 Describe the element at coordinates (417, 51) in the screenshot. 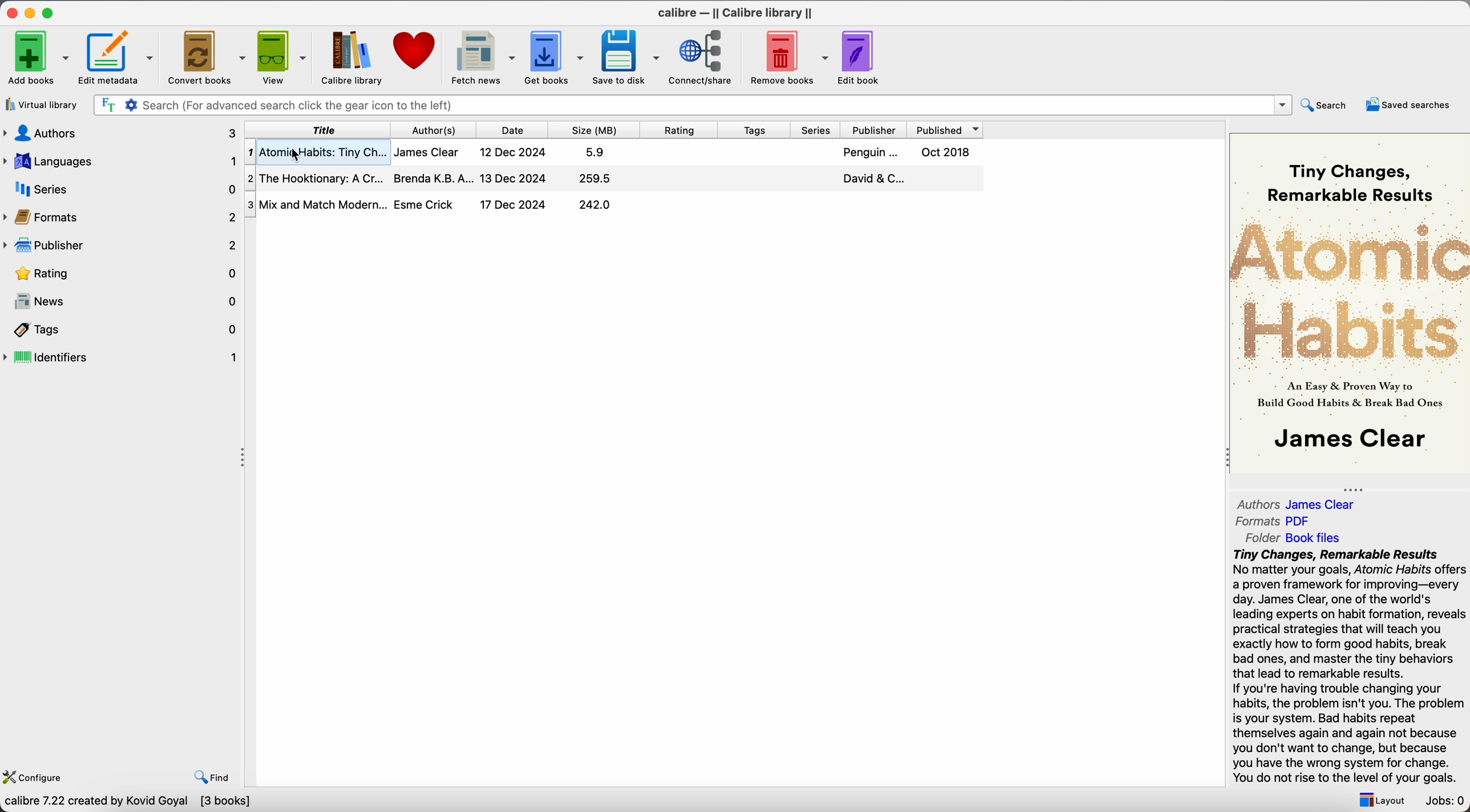

I see `donate` at that location.